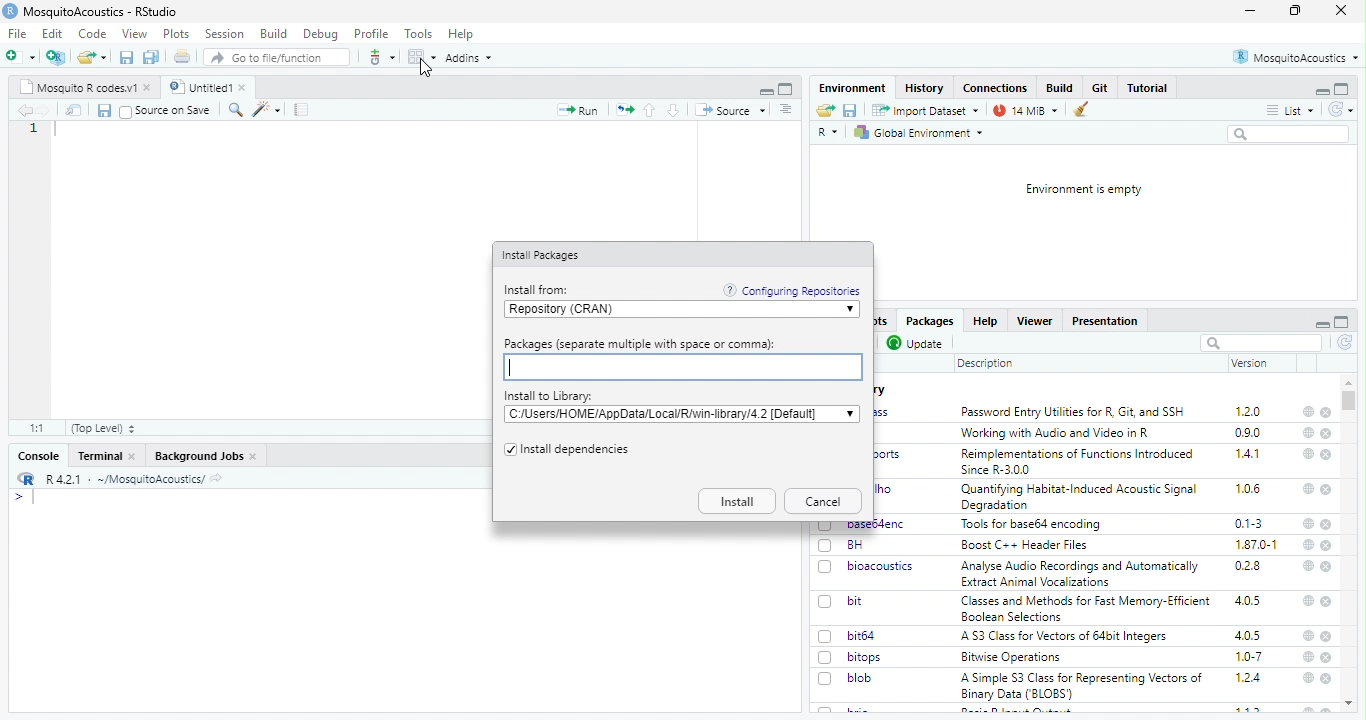 This screenshot has height=720, width=1366. Describe the element at coordinates (1081, 498) in the screenshot. I see `Quantifying Habitat-Induced Acoustic Signal
Degradation` at that location.